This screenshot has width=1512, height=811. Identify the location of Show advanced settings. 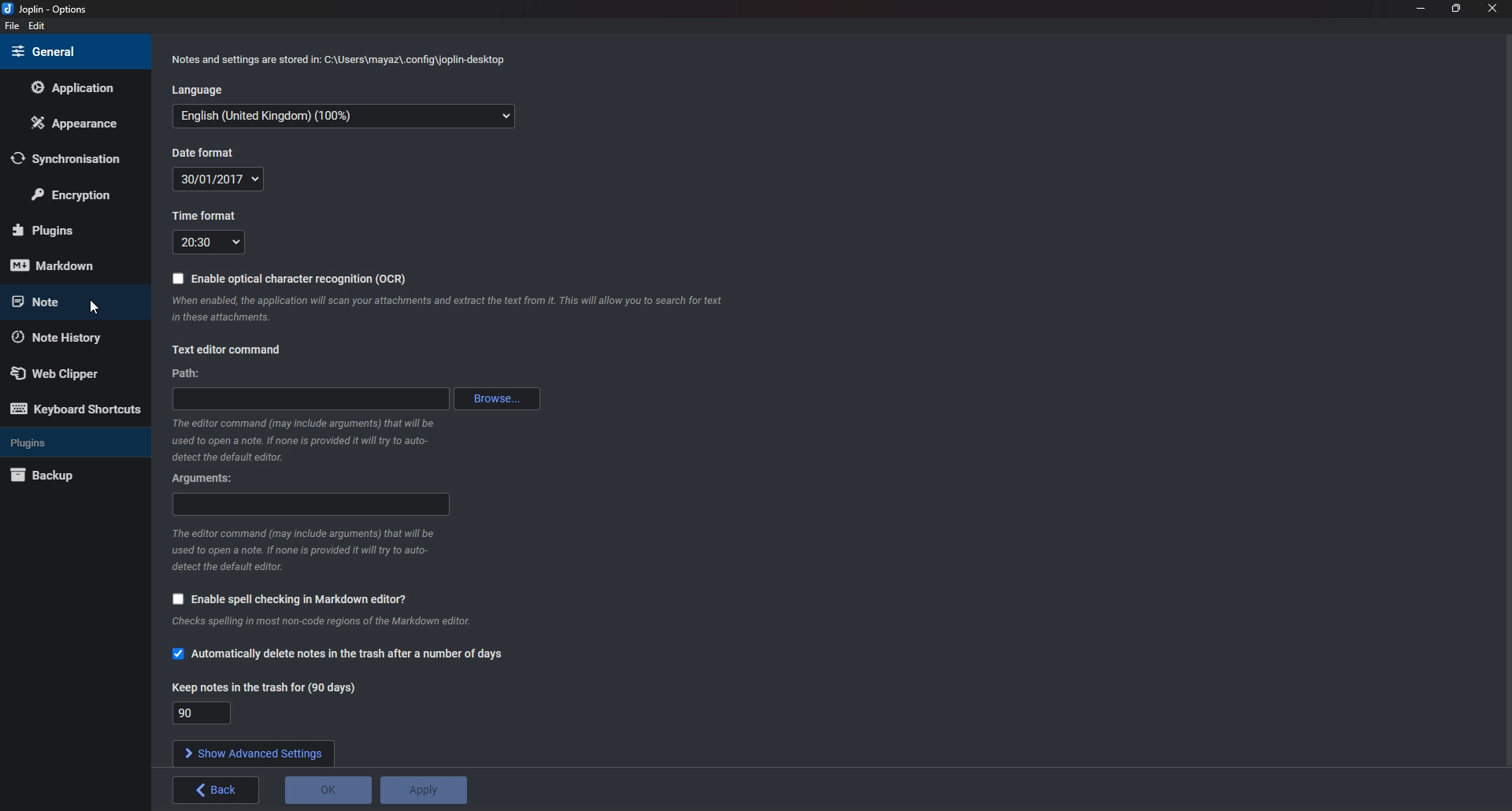
(252, 753).